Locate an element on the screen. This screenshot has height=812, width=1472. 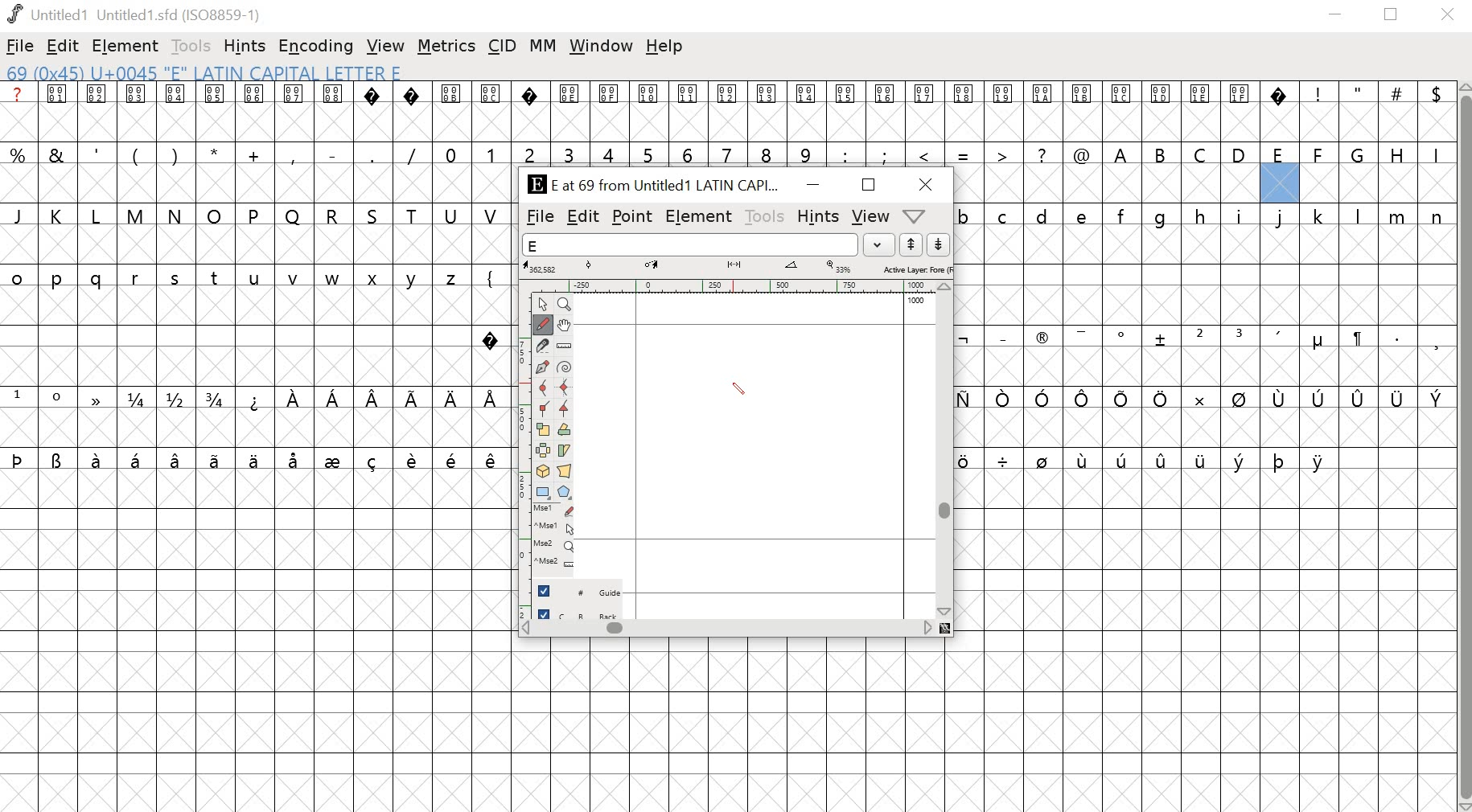
empty cells is located at coordinates (1203, 366).